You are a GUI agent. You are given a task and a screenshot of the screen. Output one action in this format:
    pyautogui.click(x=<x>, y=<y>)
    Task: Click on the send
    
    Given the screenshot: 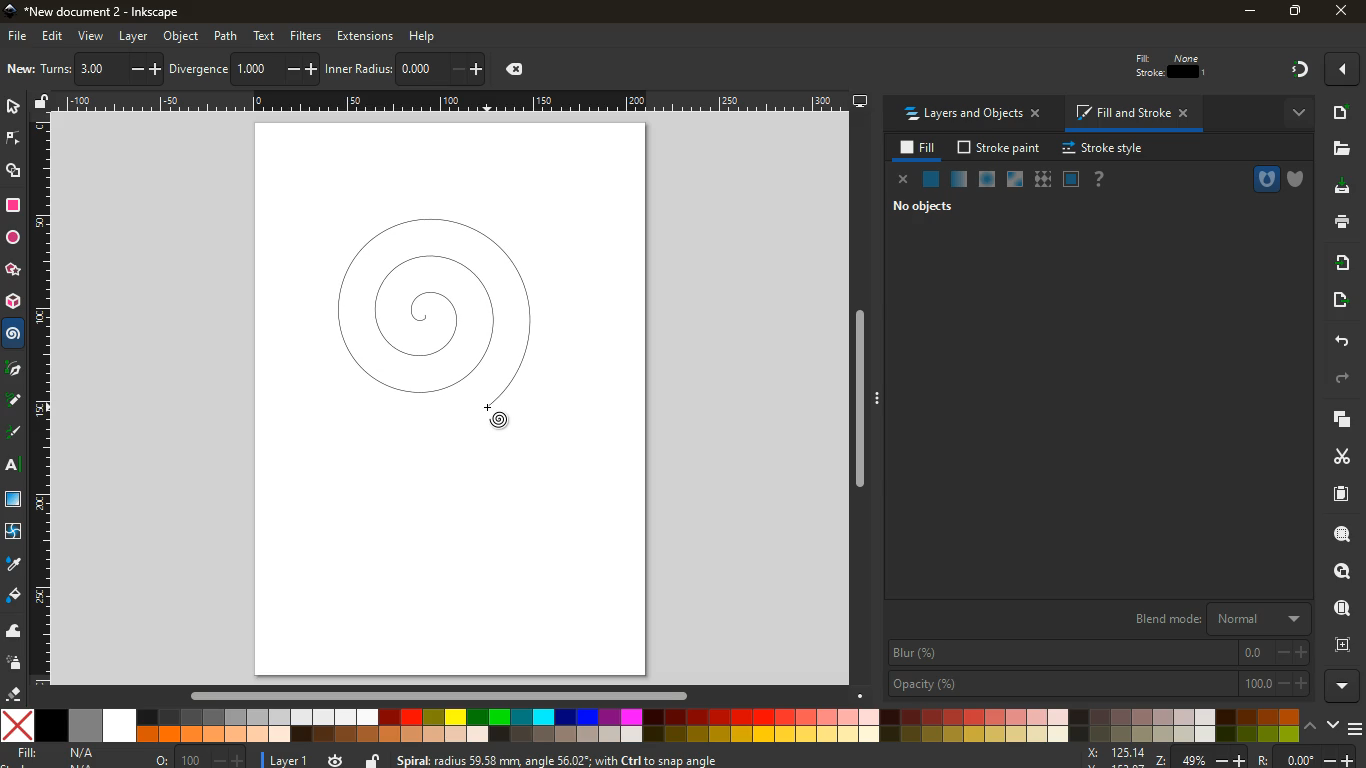 What is the action you would take?
    pyautogui.click(x=1340, y=299)
    